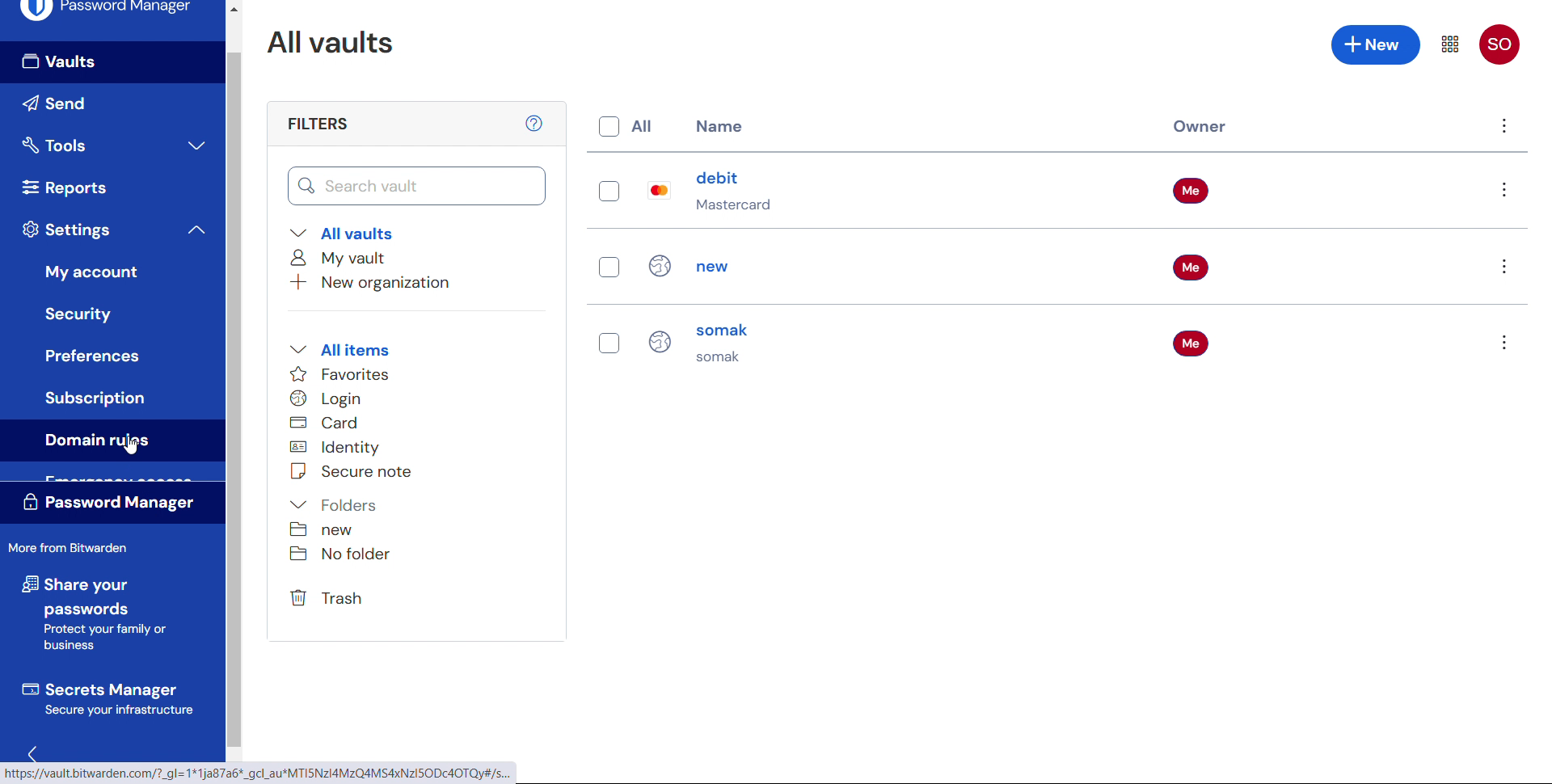 The height and width of the screenshot is (784, 1552). What do you see at coordinates (339, 349) in the screenshot?
I see `All items ` at bounding box center [339, 349].